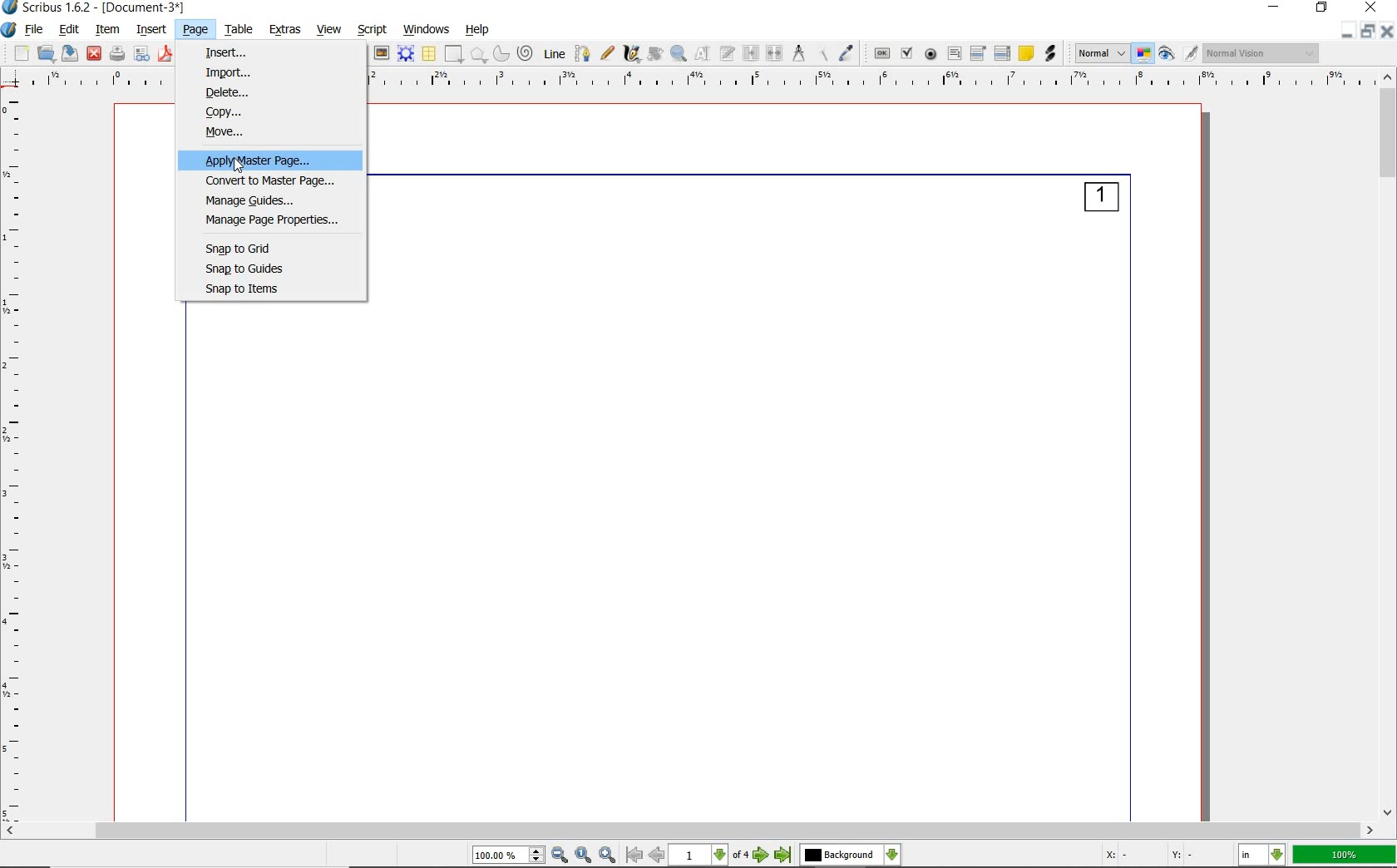 This screenshot has width=1397, height=868. I want to click on select current zoom level, so click(510, 856).